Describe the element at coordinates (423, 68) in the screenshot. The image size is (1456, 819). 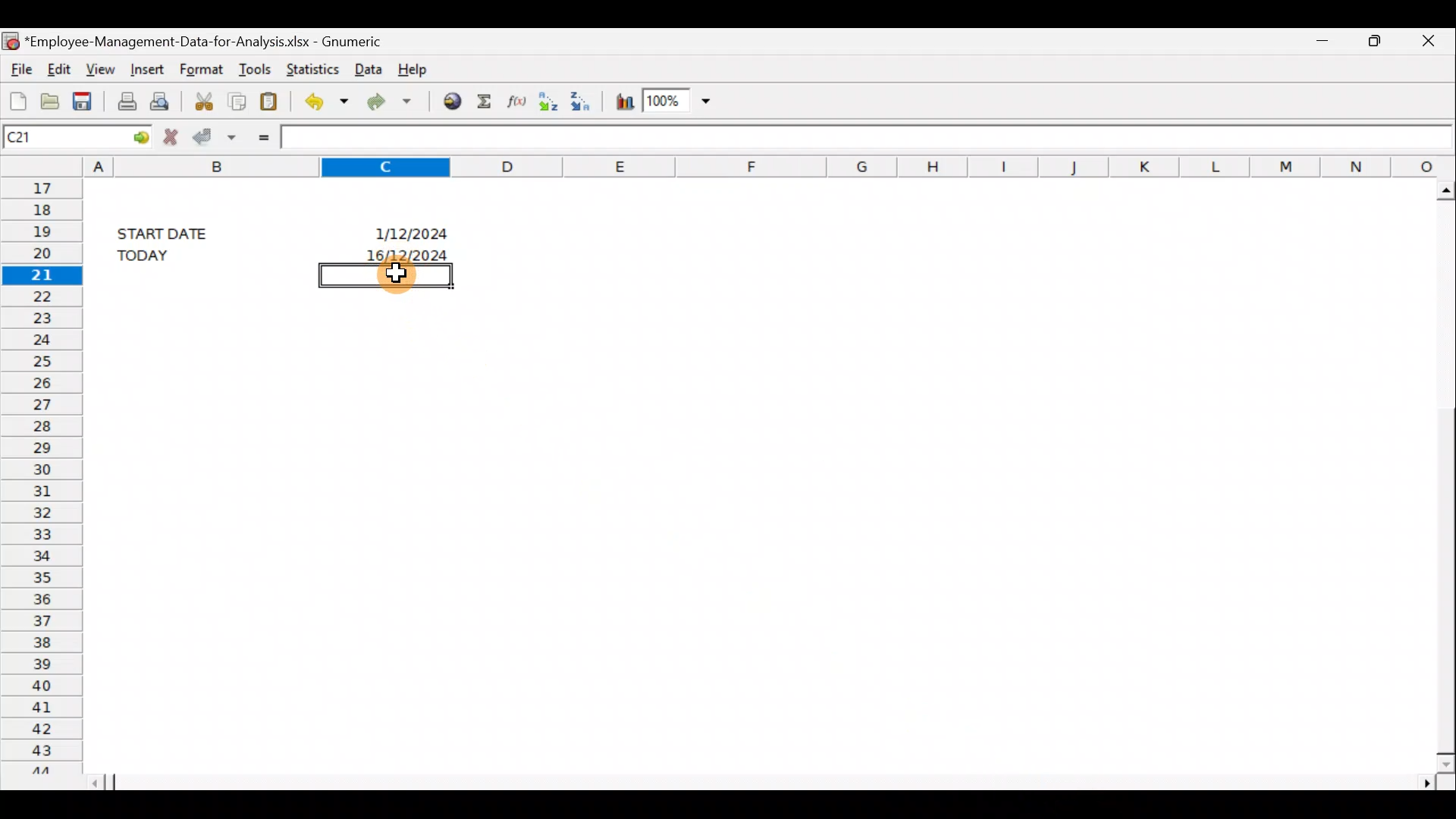
I see `Help` at that location.